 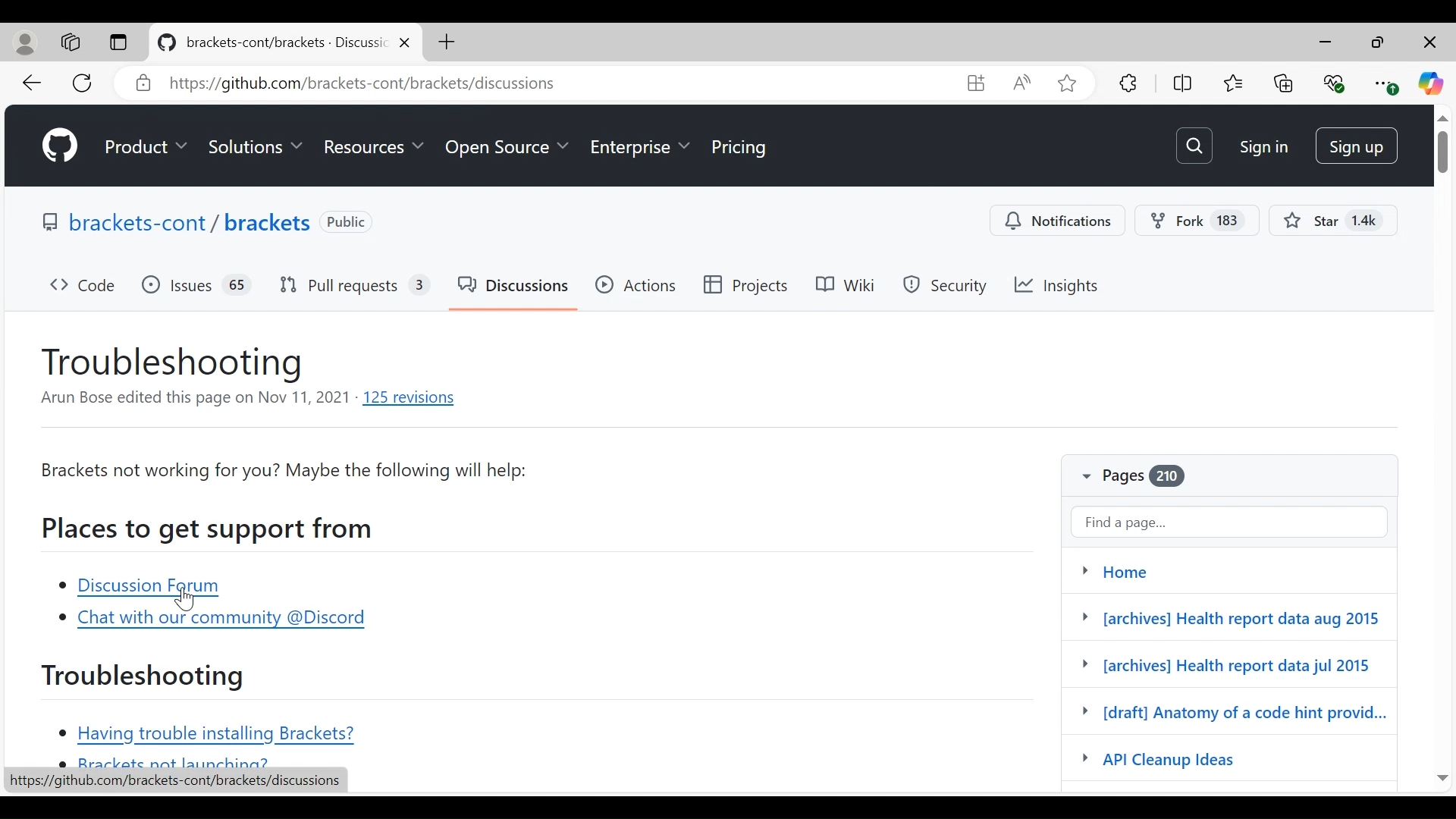 What do you see at coordinates (175, 362) in the screenshot?
I see `Troubleshooting` at bounding box center [175, 362].